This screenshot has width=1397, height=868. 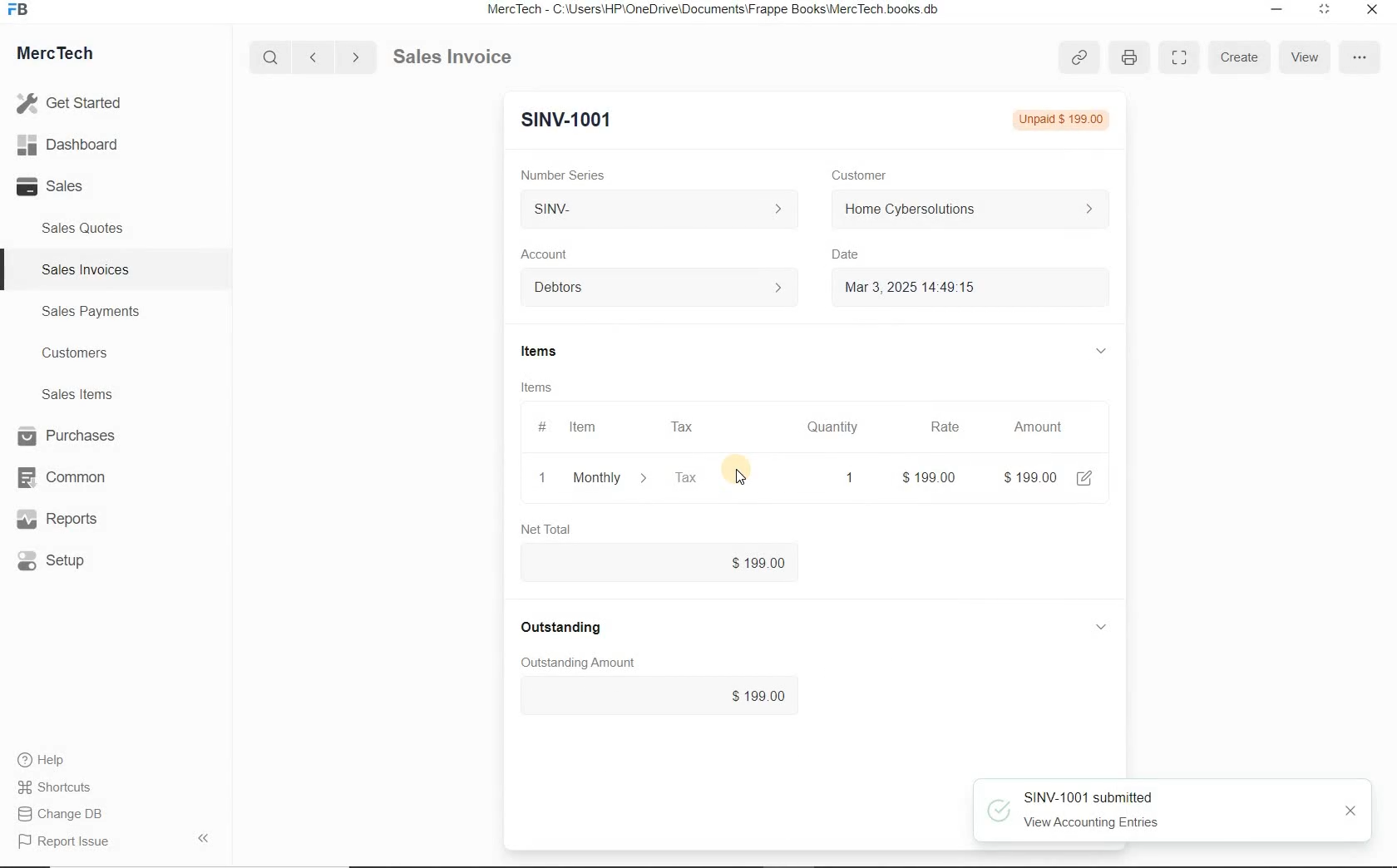 What do you see at coordinates (76, 145) in the screenshot?
I see `Dashboard` at bounding box center [76, 145].